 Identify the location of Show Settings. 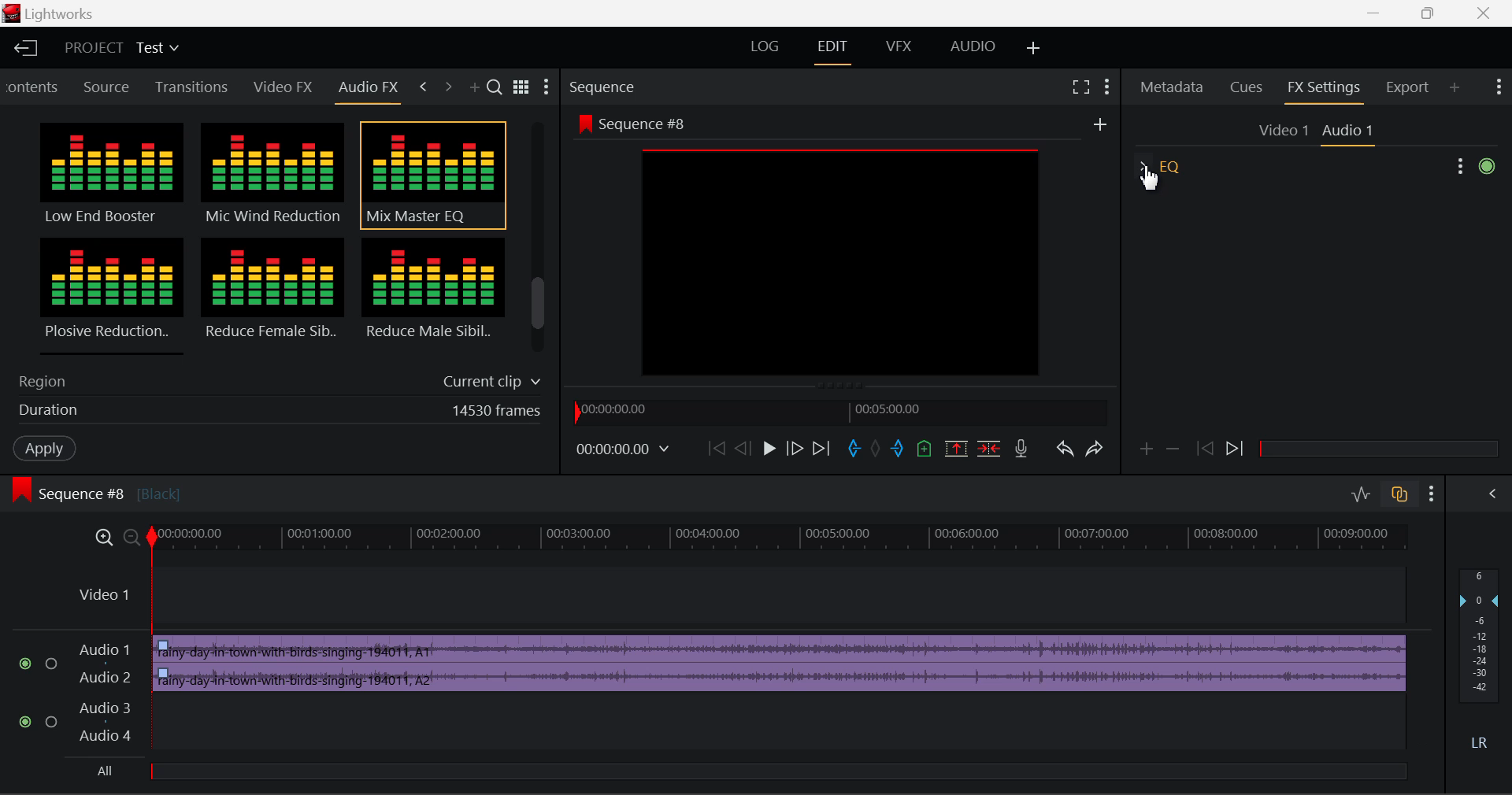
(1107, 87).